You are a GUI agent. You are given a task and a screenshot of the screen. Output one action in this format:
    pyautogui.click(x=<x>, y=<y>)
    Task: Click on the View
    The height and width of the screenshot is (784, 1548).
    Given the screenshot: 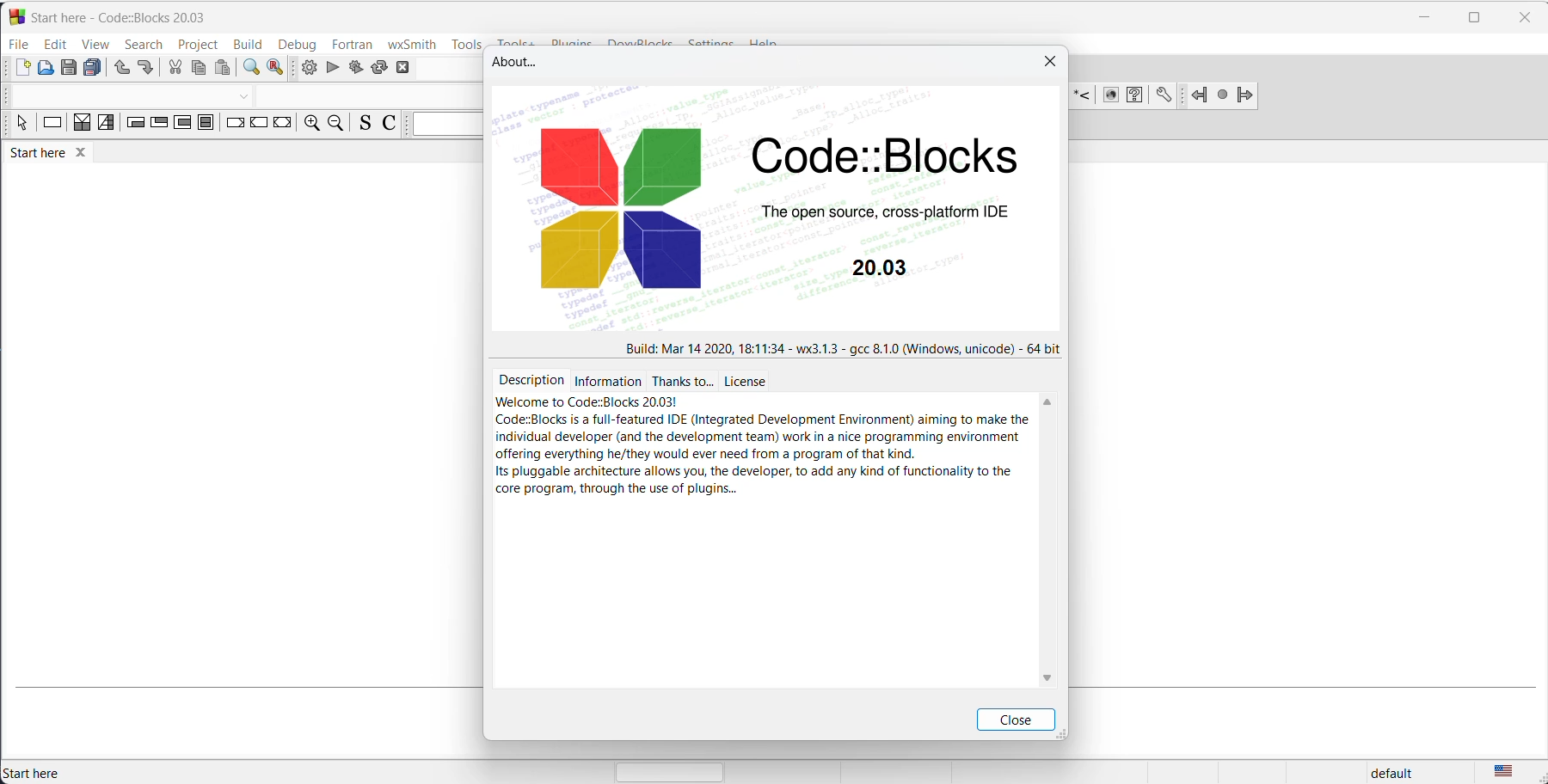 What is the action you would take?
    pyautogui.click(x=97, y=44)
    